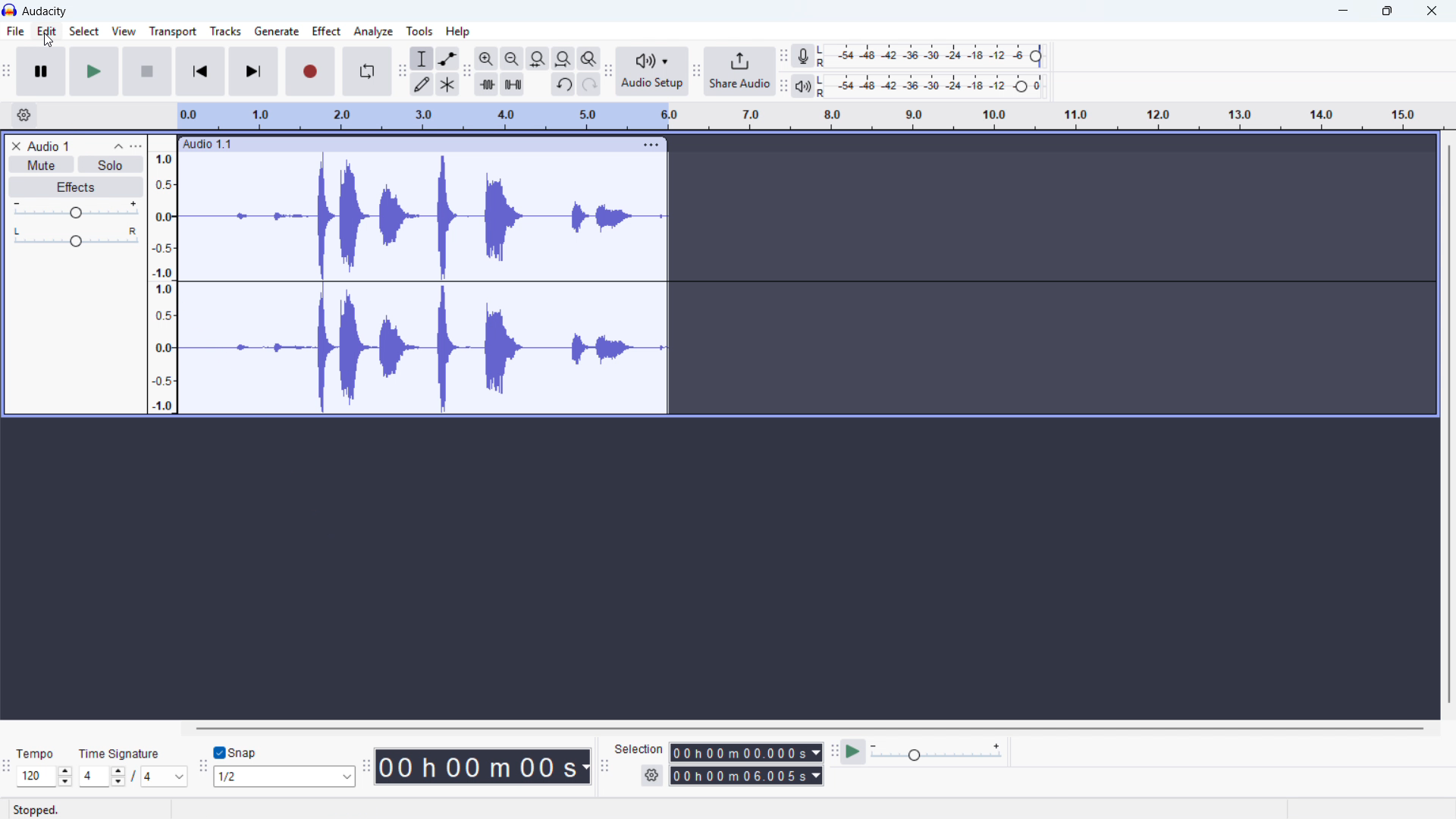  What do you see at coordinates (448, 58) in the screenshot?
I see `envelop tool` at bounding box center [448, 58].